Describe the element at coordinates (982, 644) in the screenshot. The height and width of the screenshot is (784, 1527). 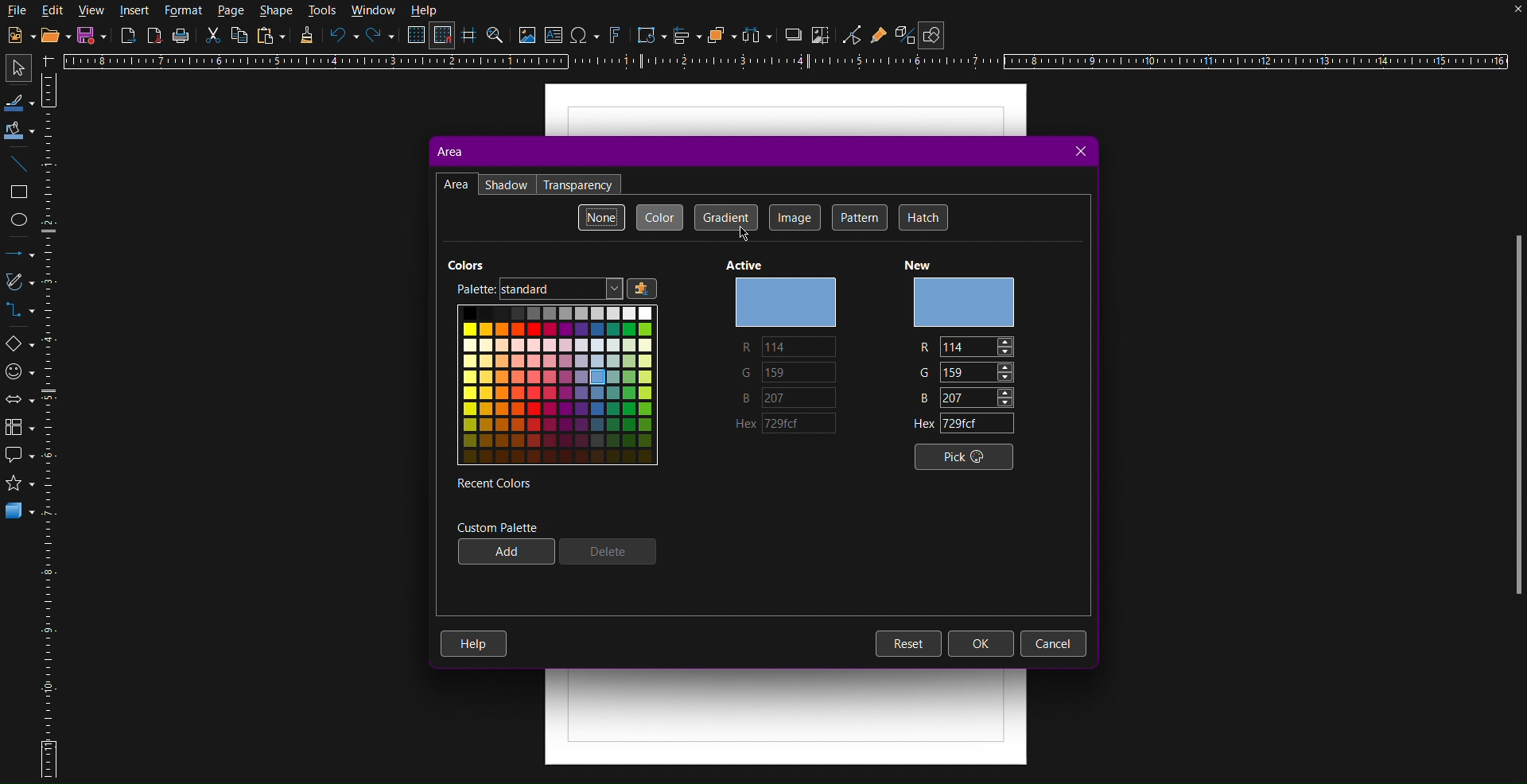
I see `OK` at that location.